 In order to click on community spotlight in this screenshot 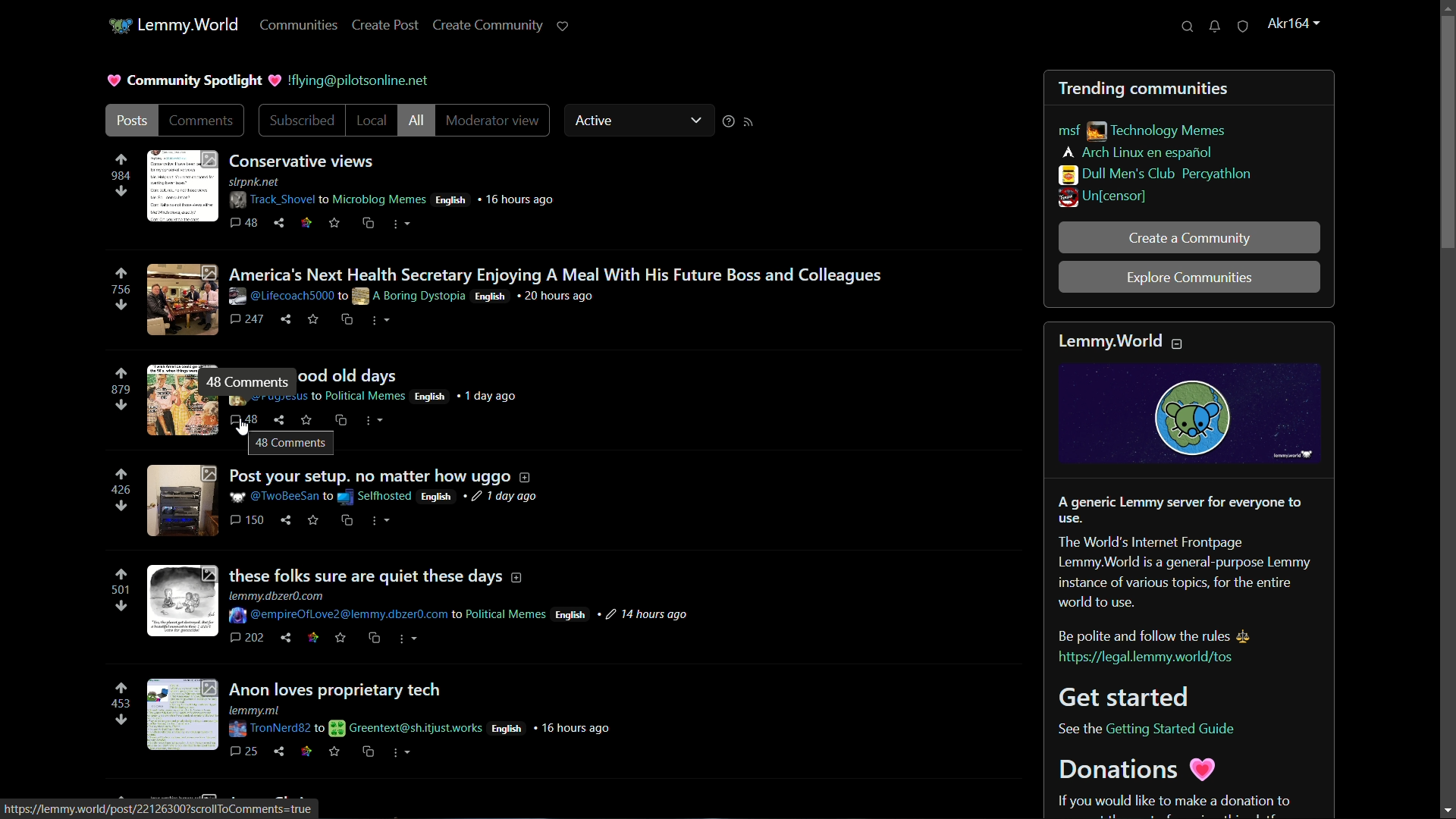, I will do `click(195, 80)`.